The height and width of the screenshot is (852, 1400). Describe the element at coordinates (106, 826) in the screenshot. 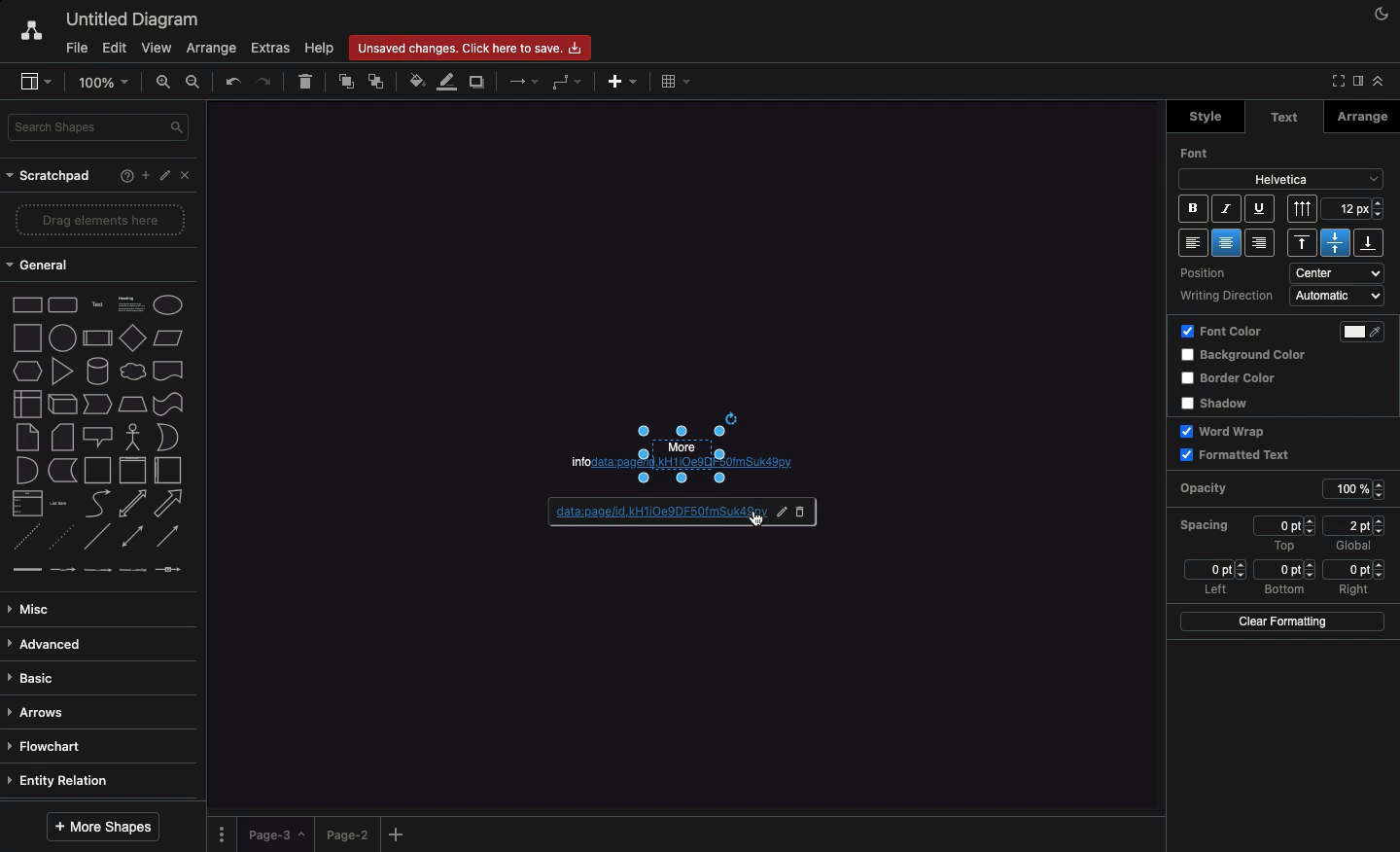

I see `More shapes` at that location.